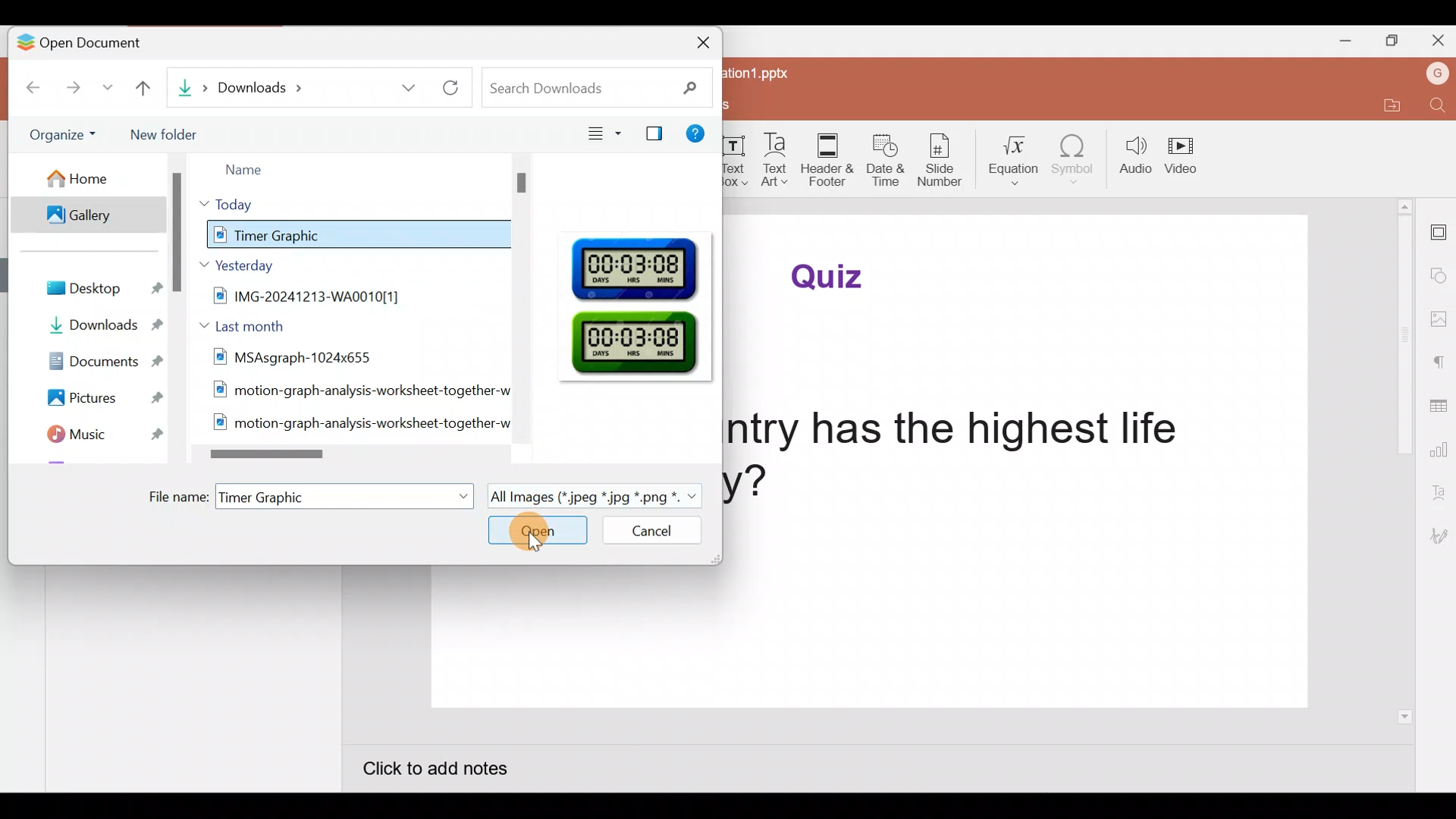 This screenshot has height=819, width=1456. Describe the element at coordinates (346, 457) in the screenshot. I see `Scroll bar` at that location.